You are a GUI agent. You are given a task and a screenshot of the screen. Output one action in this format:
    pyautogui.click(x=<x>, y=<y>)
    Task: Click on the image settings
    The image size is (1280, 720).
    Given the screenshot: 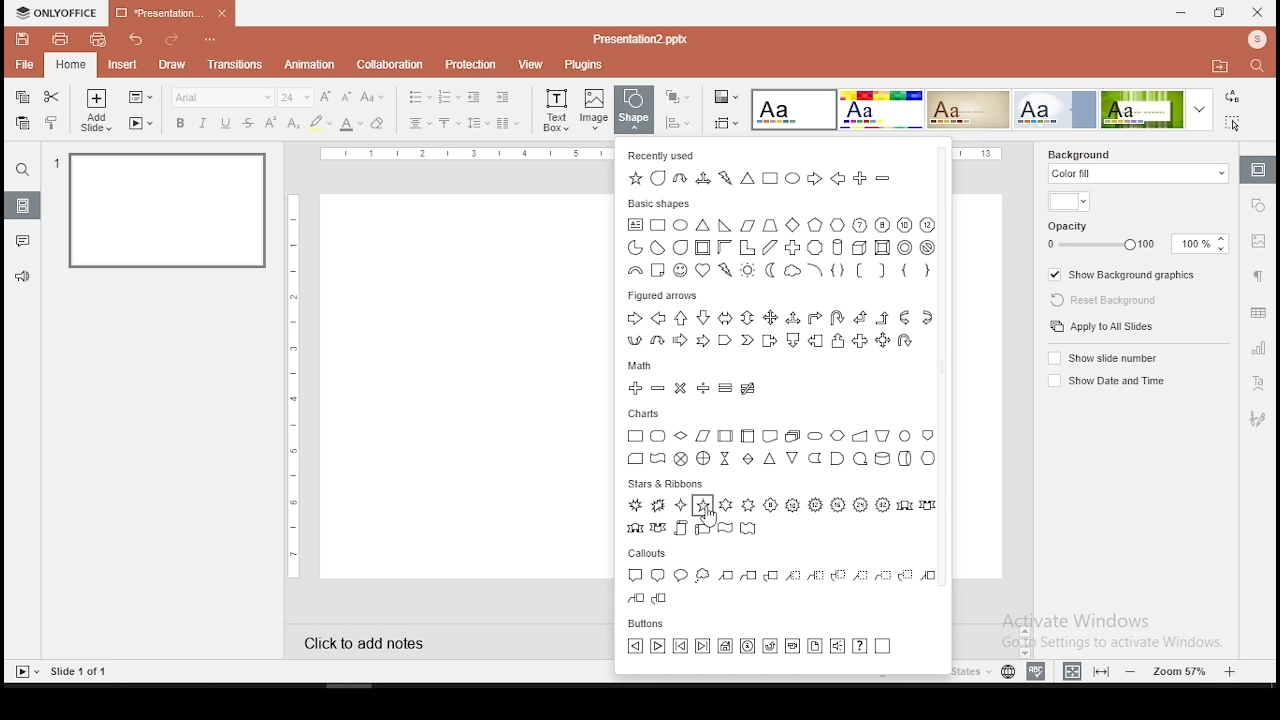 What is the action you would take?
    pyautogui.click(x=1259, y=241)
    